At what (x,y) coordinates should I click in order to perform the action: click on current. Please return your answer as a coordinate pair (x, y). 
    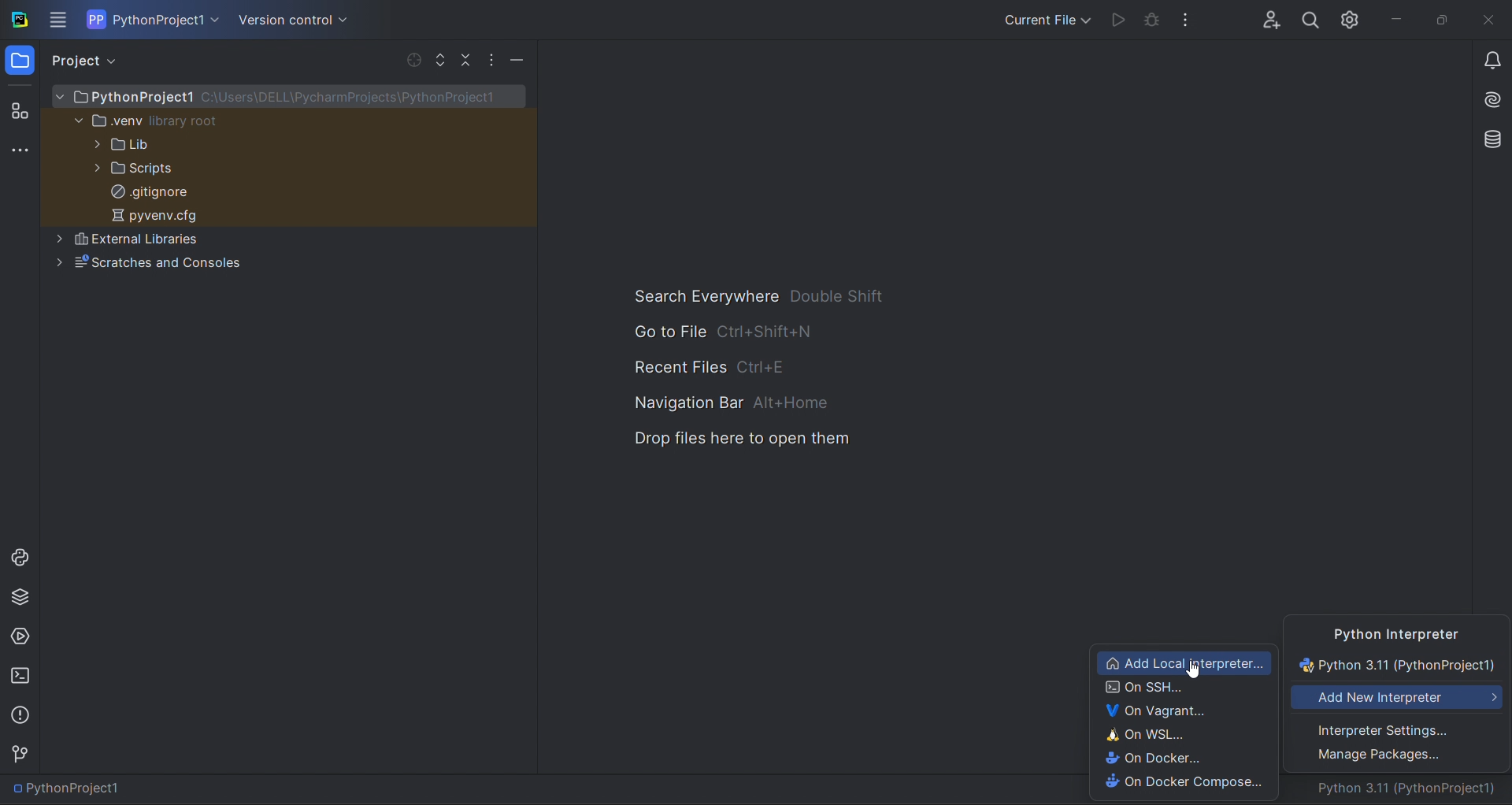
    Looking at the image, I should click on (1399, 666).